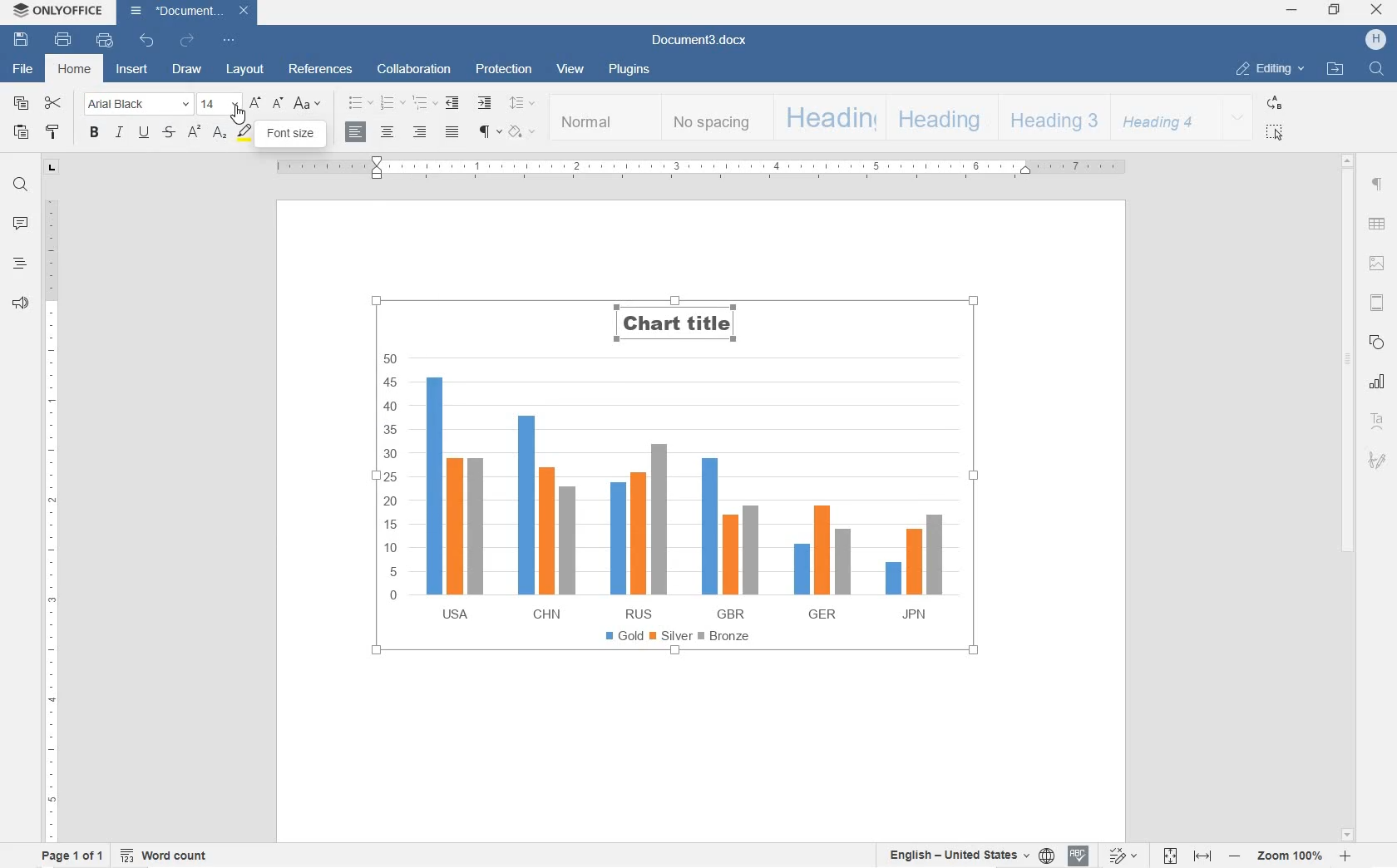  What do you see at coordinates (51, 517) in the screenshot?
I see `RULER` at bounding box center [51, 517].